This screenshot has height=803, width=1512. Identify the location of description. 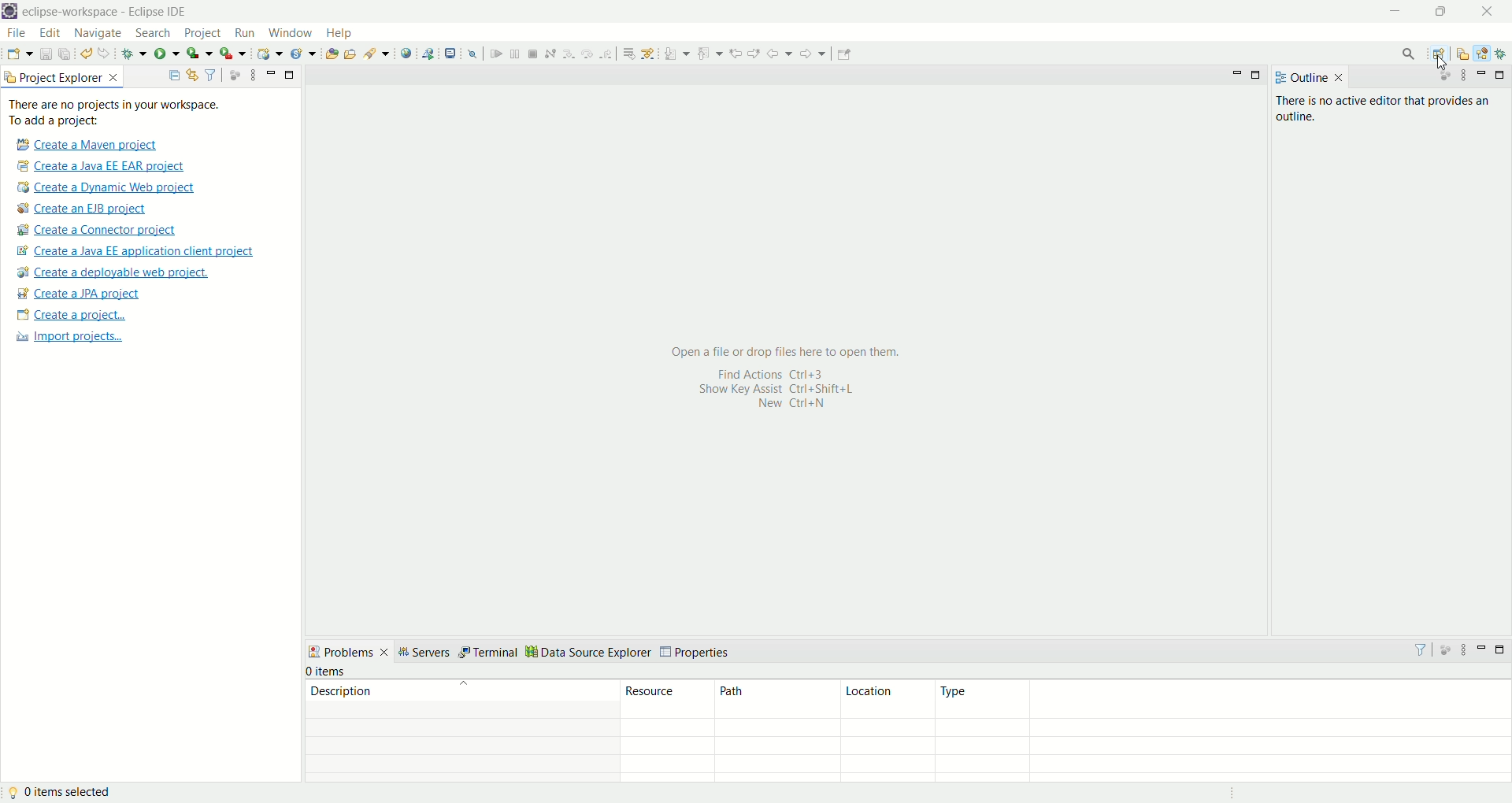
(457, 731).